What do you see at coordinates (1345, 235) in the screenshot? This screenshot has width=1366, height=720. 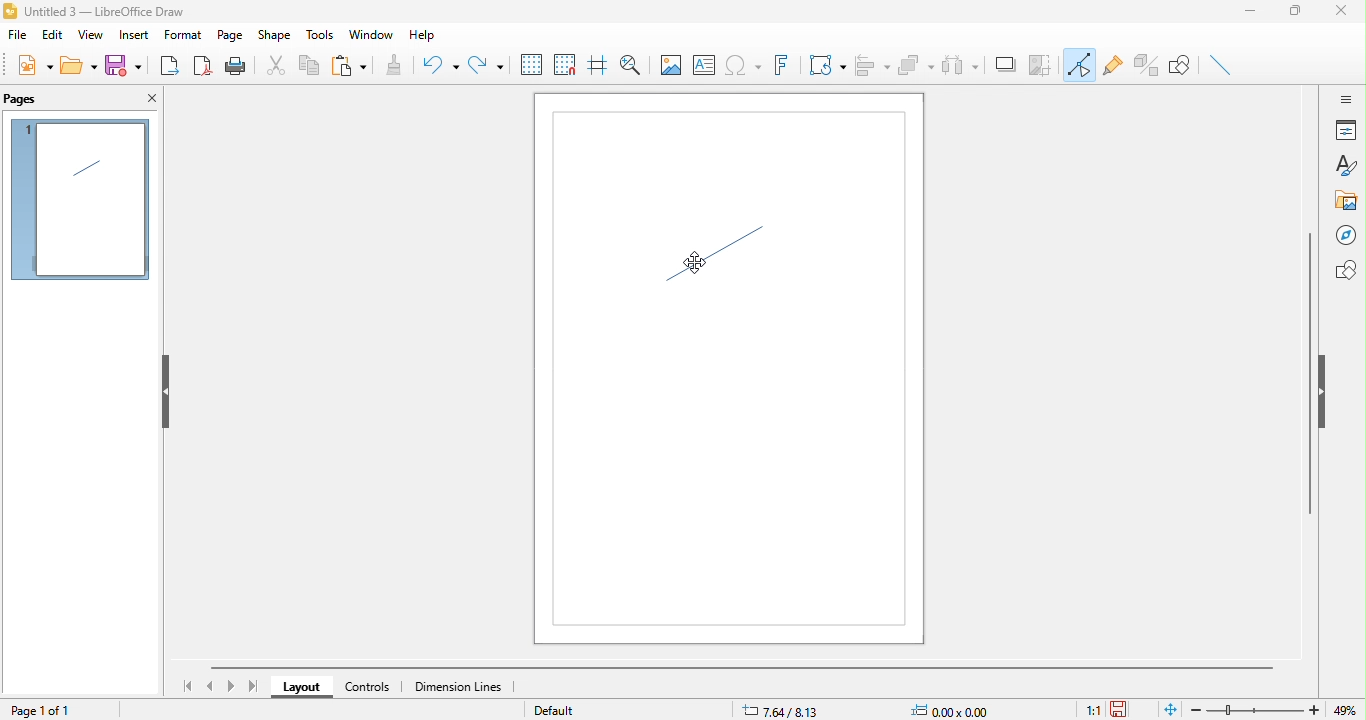 I see `navigator` at bounding box center [1345, 235].